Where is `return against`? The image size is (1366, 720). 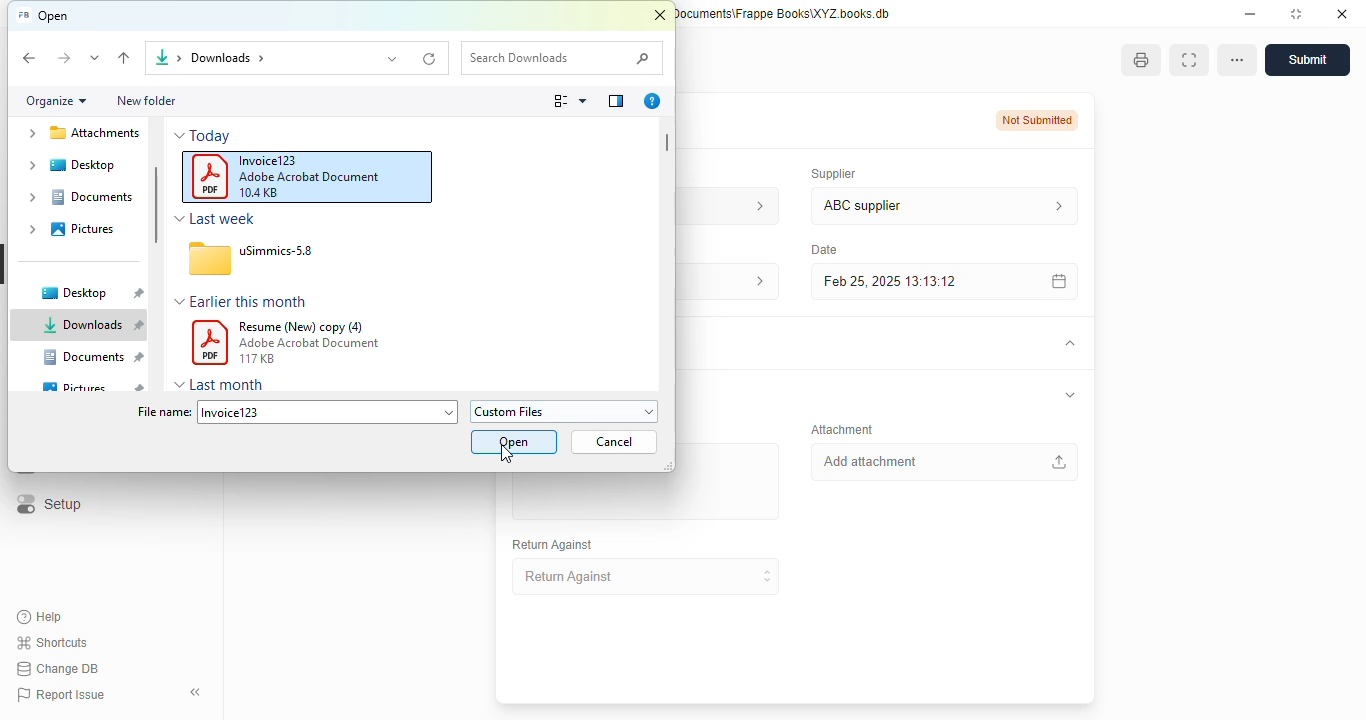 return against is located at coordinates (647, 577).